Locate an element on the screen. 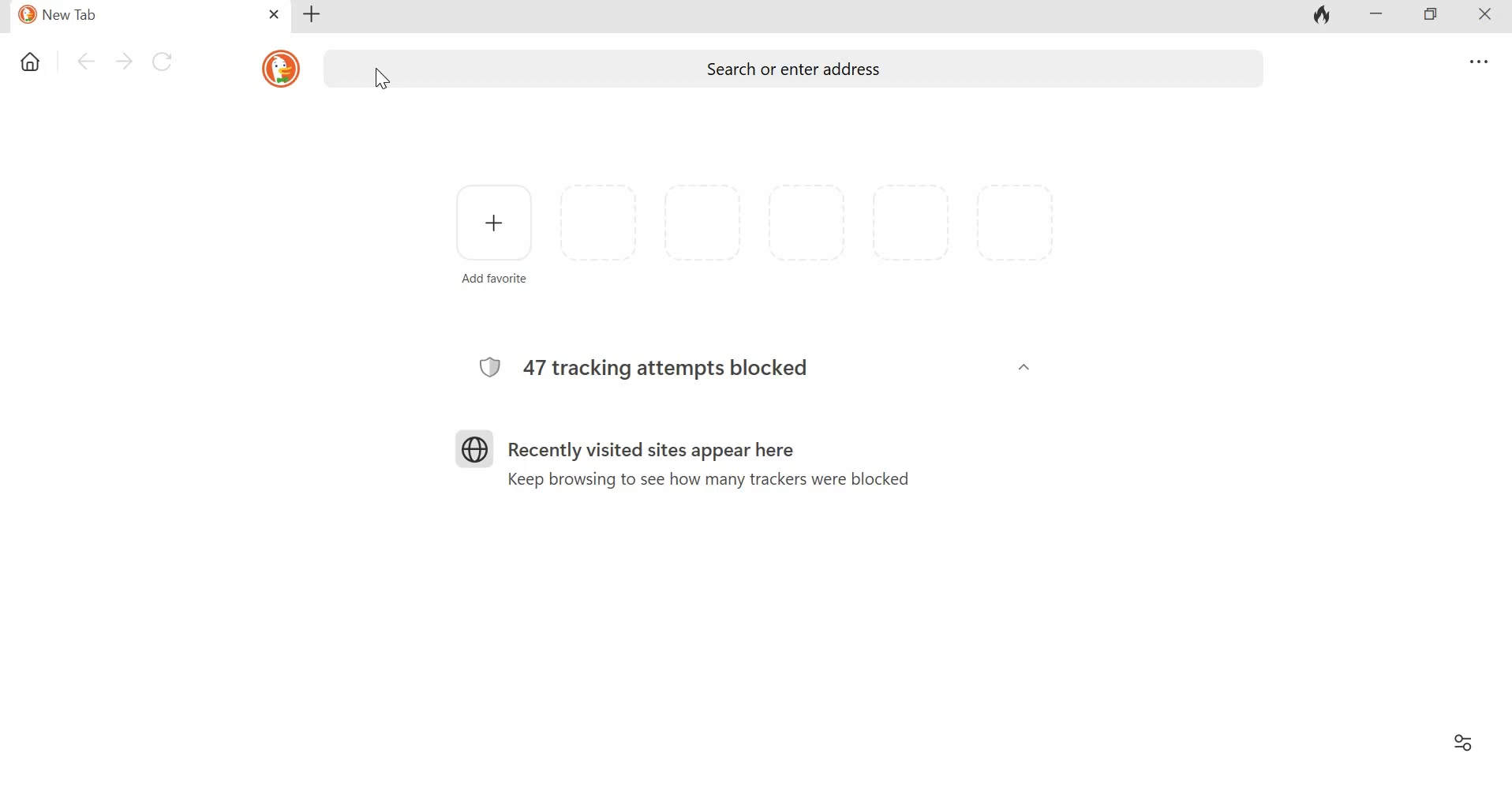 The image size is (1512, 791). settings is located at coordinates (1476, 62).